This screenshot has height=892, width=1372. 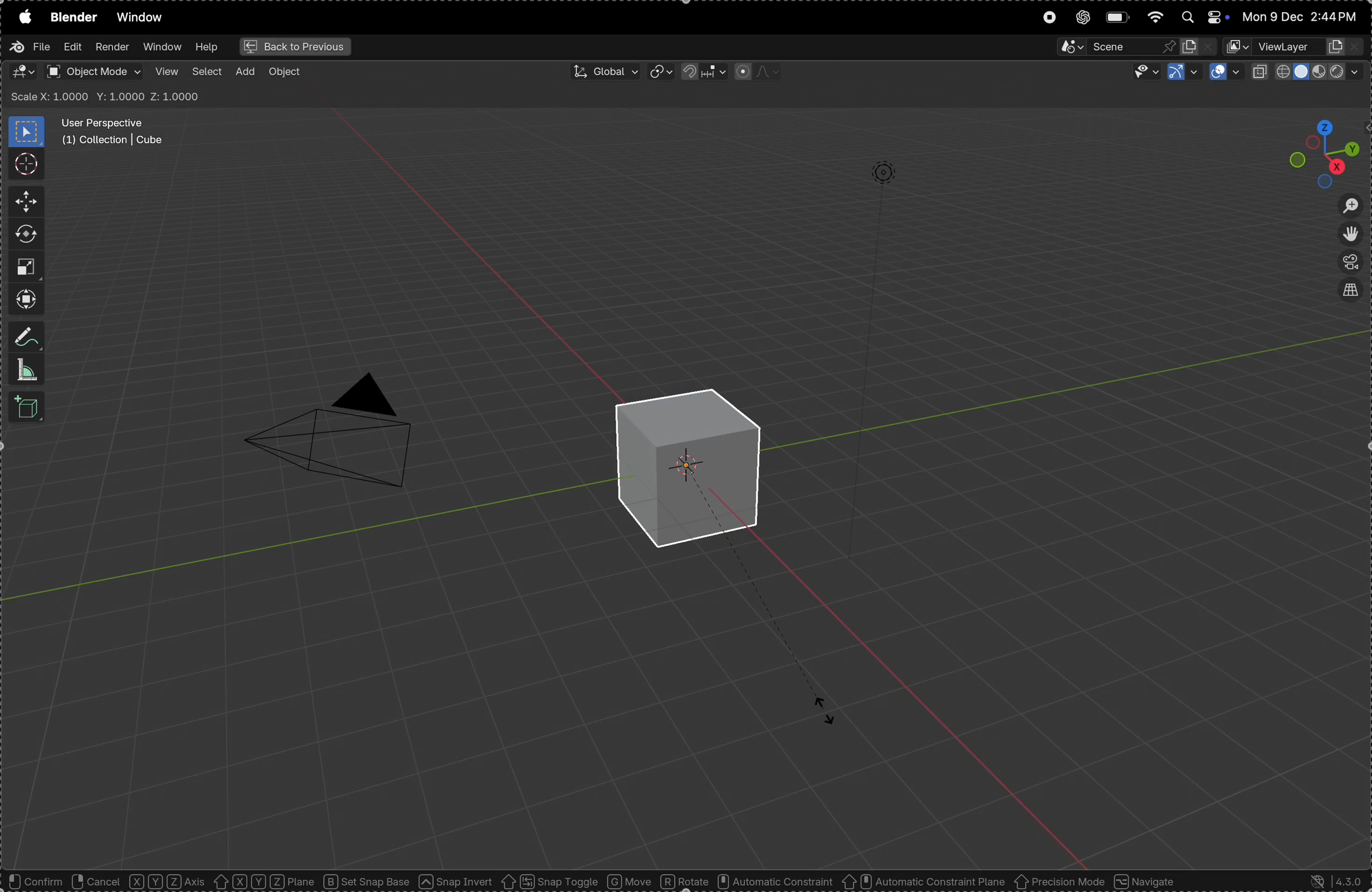 I want to click on proportional fall off, so click(x=756, y=71).